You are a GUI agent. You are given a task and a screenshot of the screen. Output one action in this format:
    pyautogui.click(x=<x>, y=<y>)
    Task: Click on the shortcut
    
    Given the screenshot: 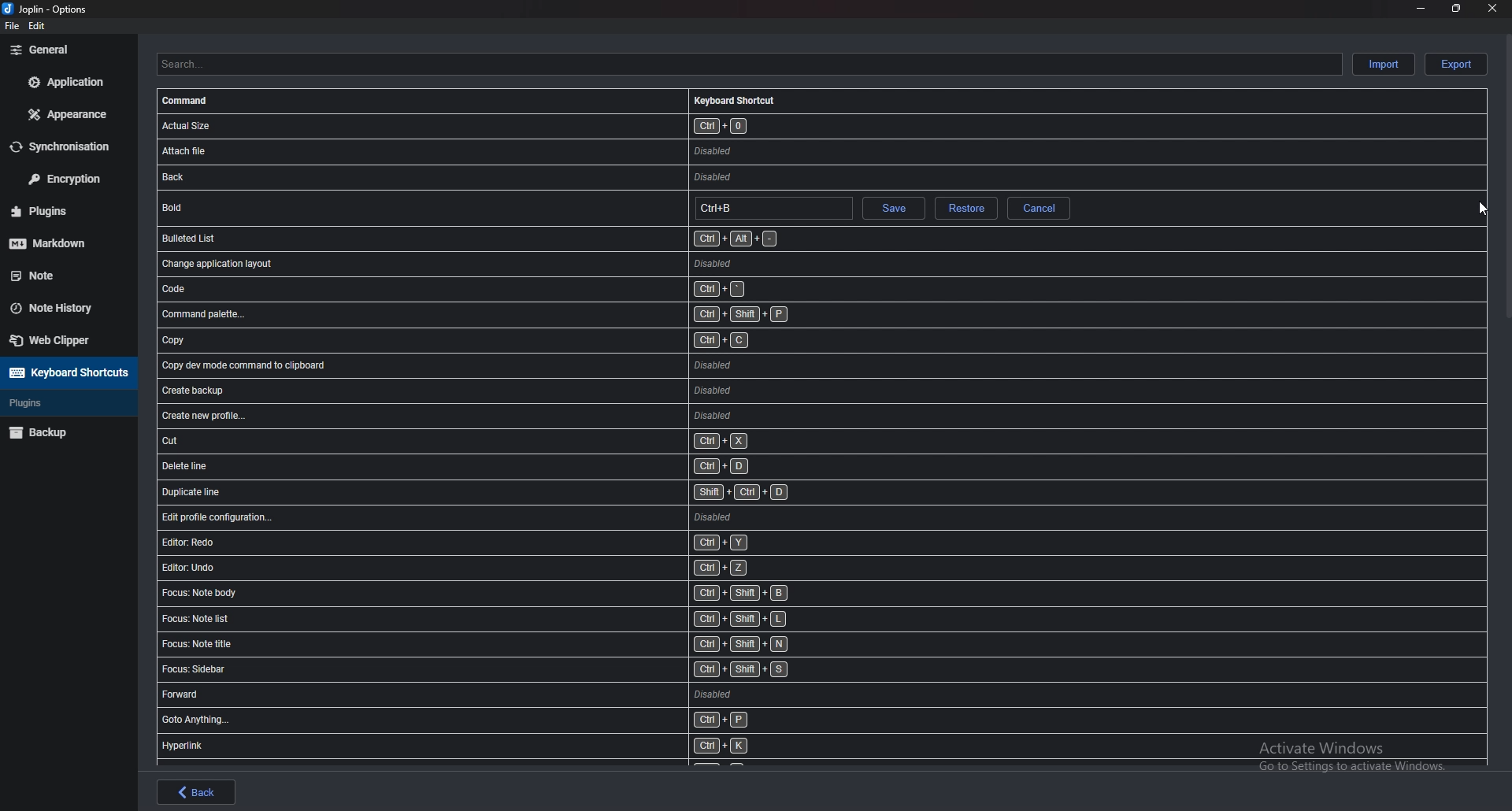 What is the action you would take?
    pyautogui.click(x=517, y=543)
    